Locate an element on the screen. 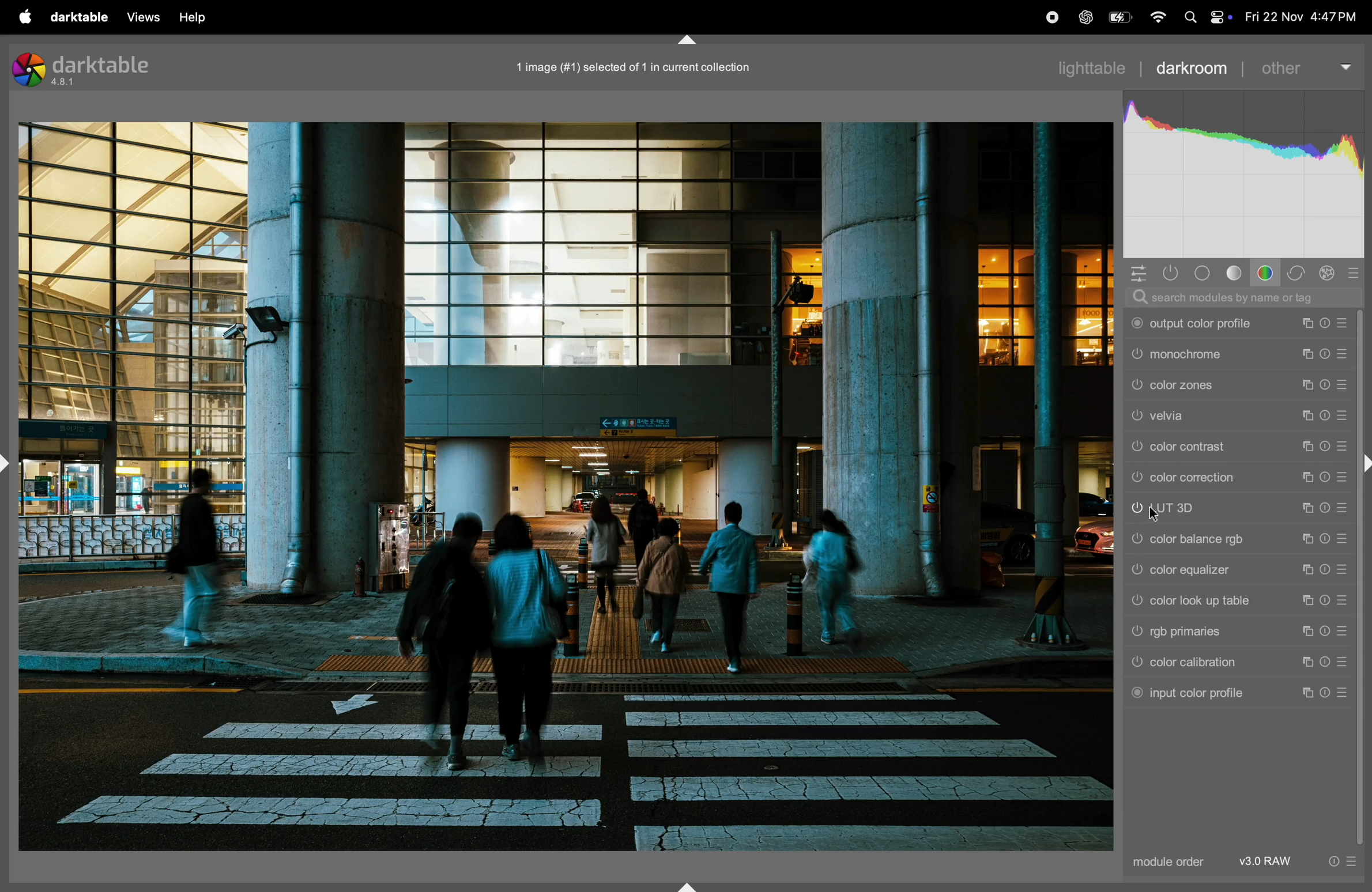 The height and width of the screenshot is (892, 1372). multiple intance actions is located at coordinates (1306, 570).